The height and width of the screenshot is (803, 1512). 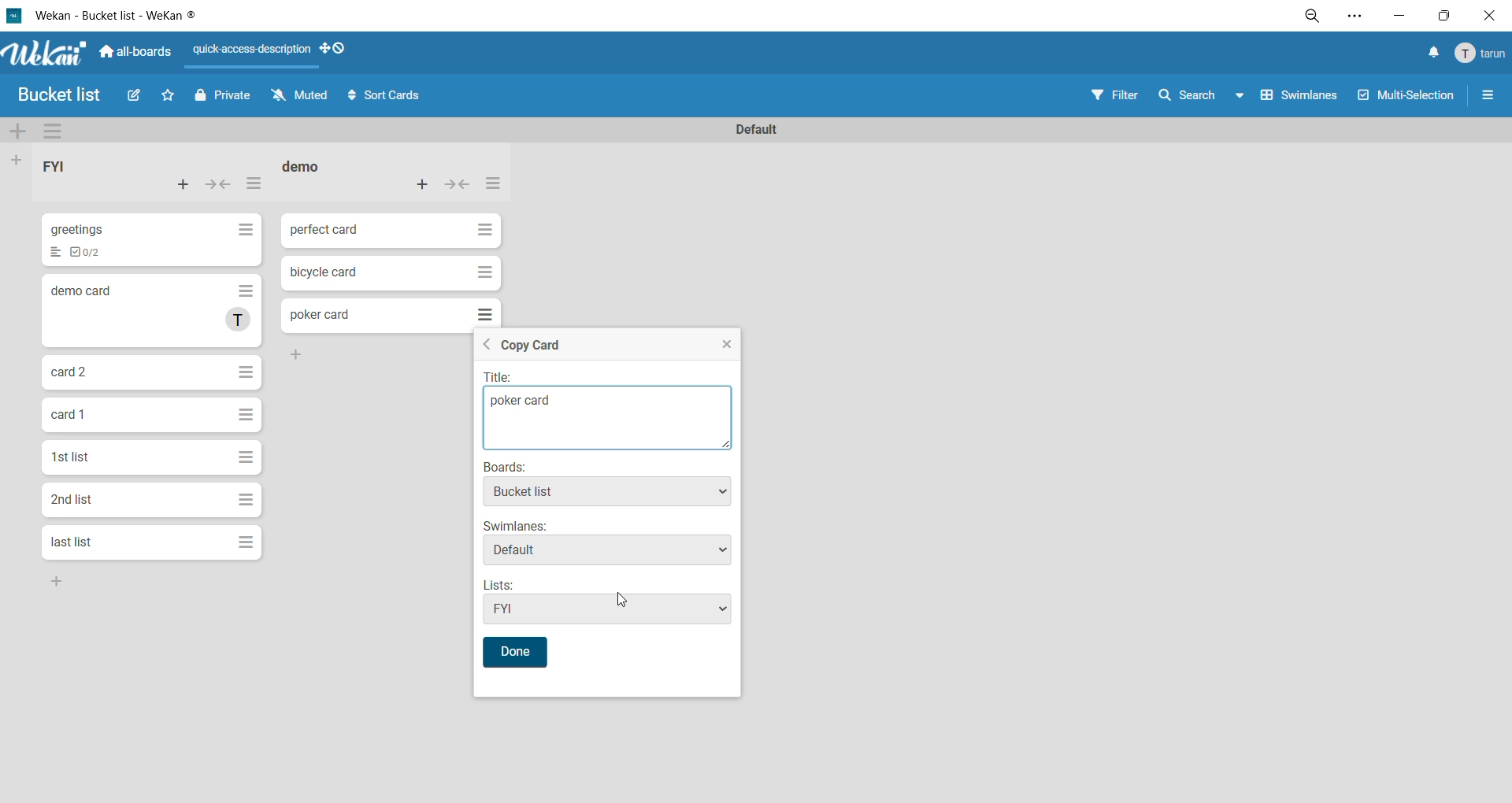 What do you see at coordinates (306, 352) in the screenshot?
I see `Add Button` at bounding box center [306, 352].